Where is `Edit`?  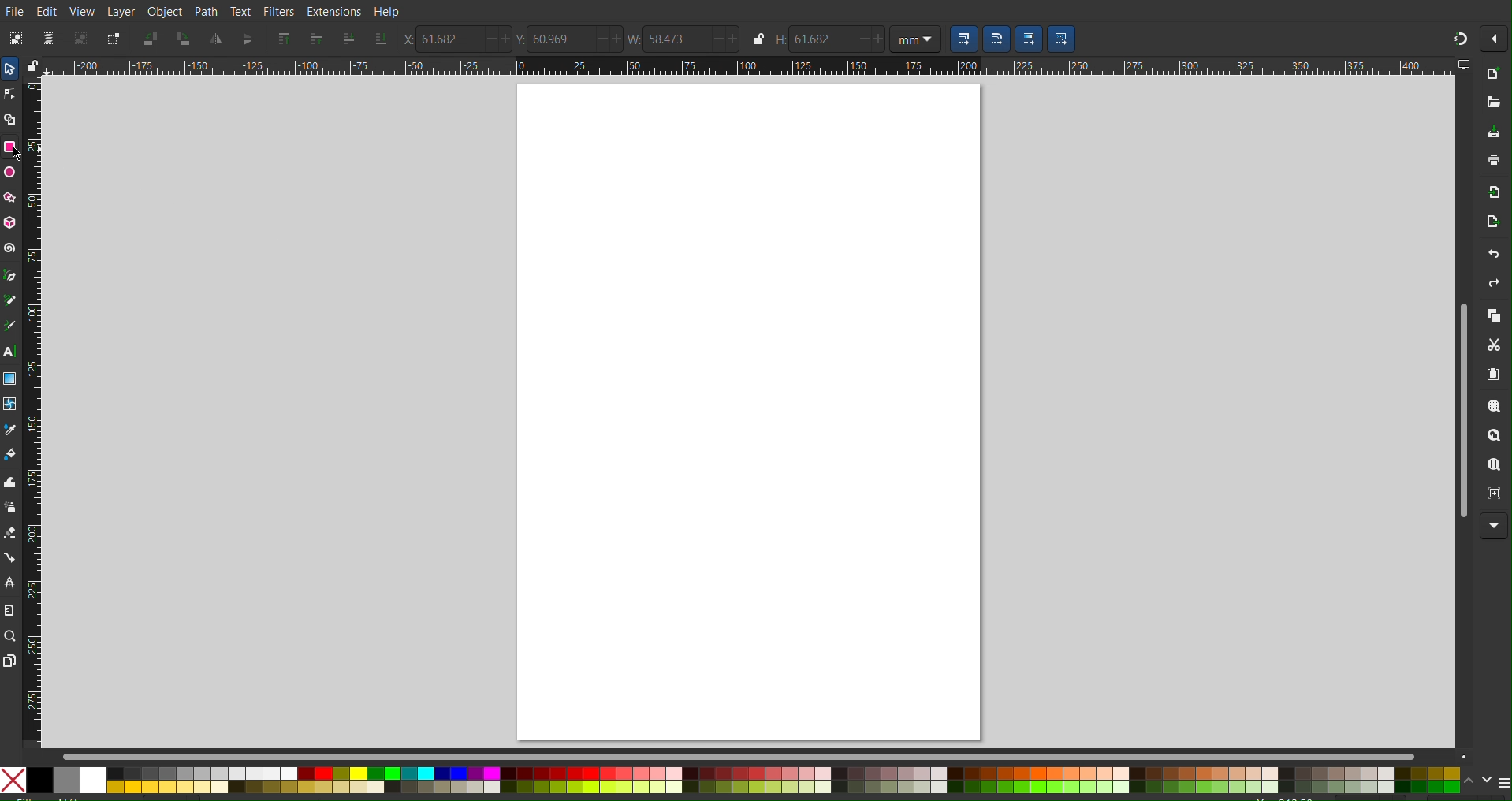
Edit is located at coordinates (47, 12).